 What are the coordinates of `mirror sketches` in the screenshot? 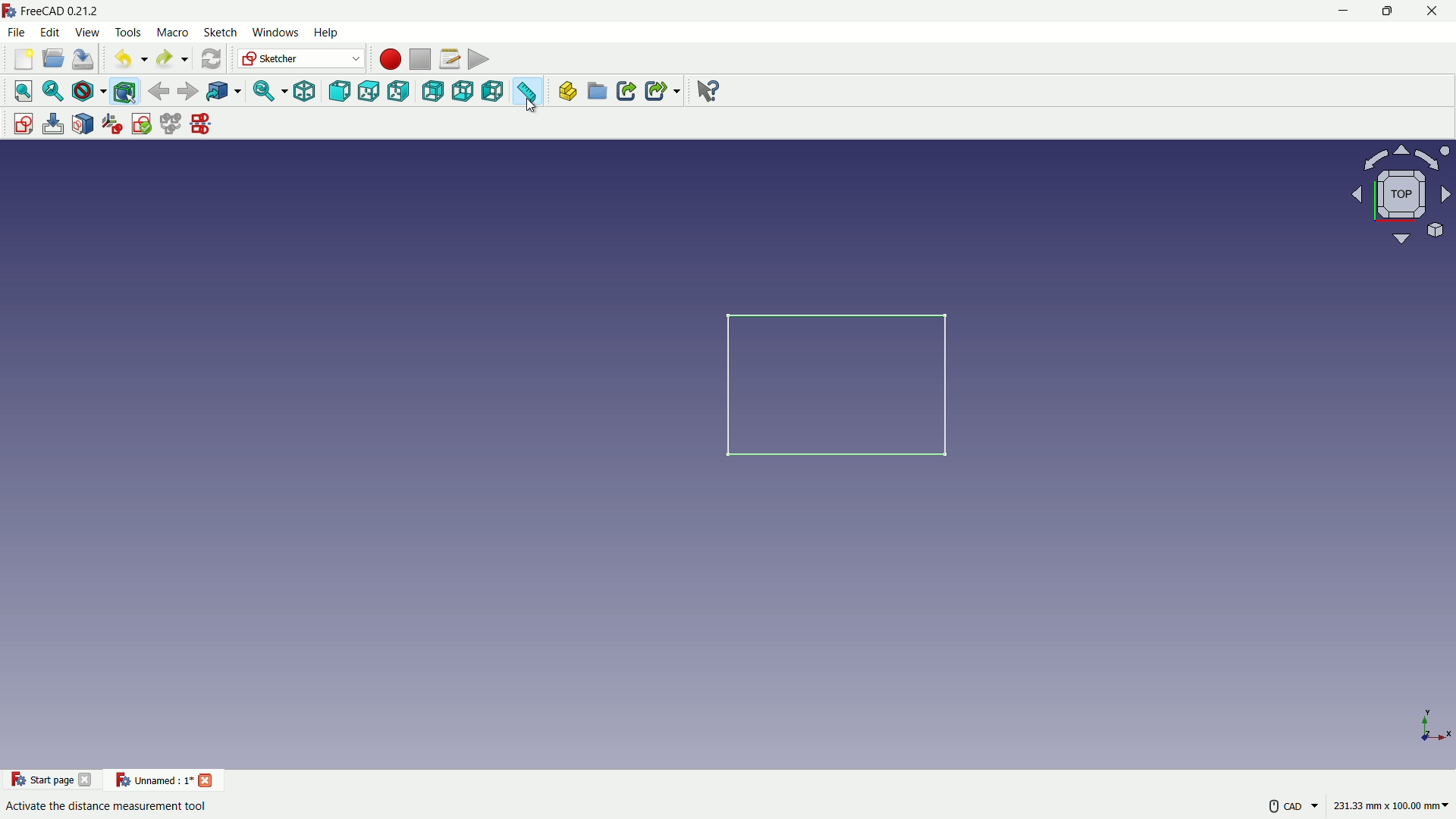 It's located at (200, 125).